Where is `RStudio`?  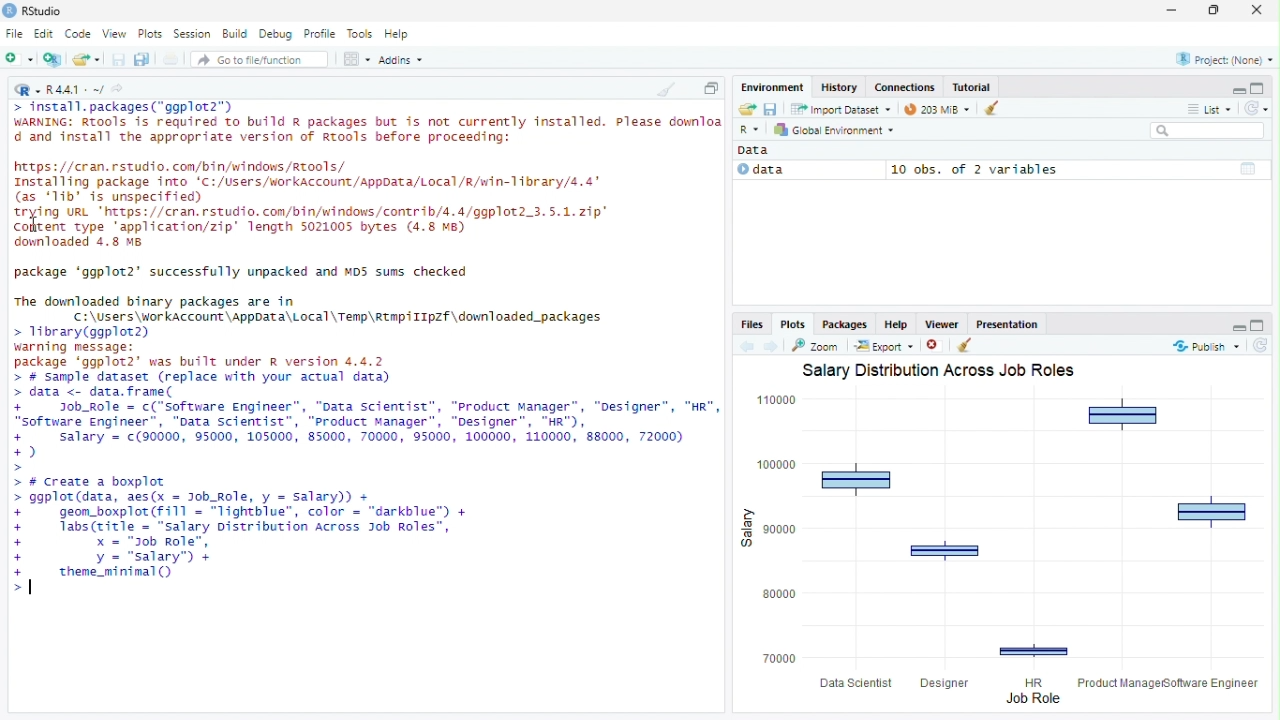
RStudio is located at coordinates (44, 9).